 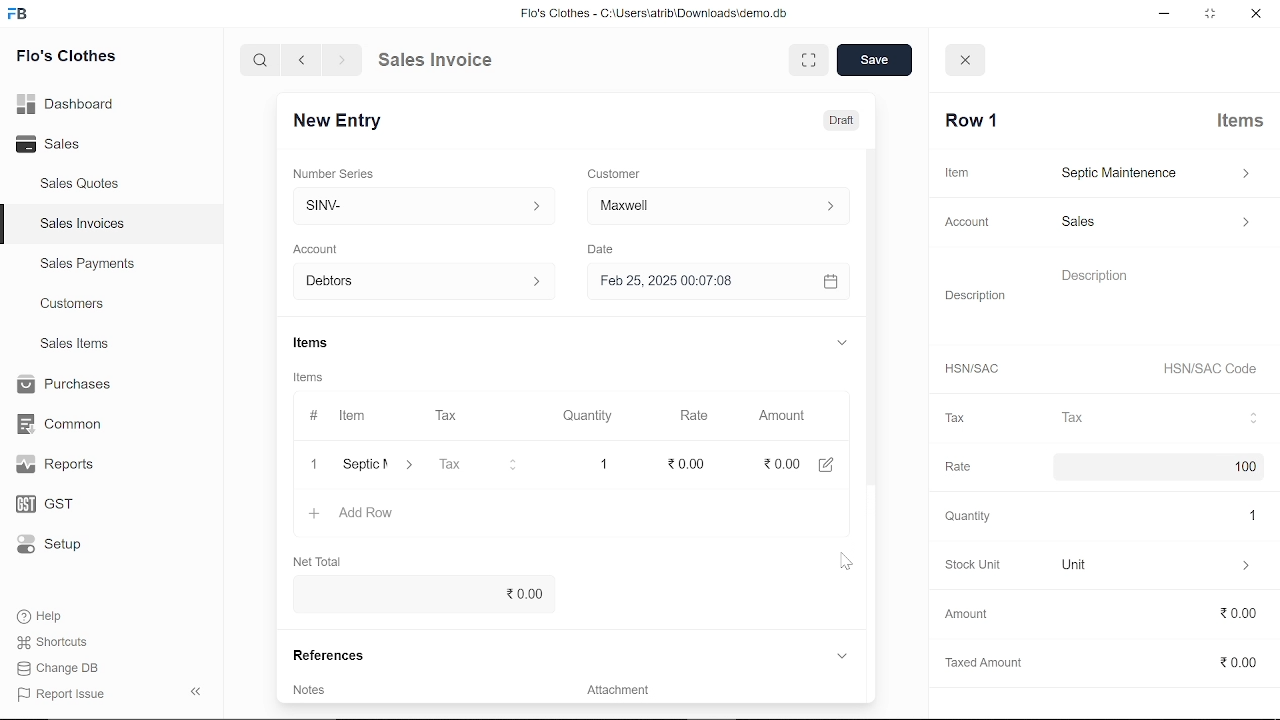 I want to click on ‘Number Series, so click(x=338, y=173).